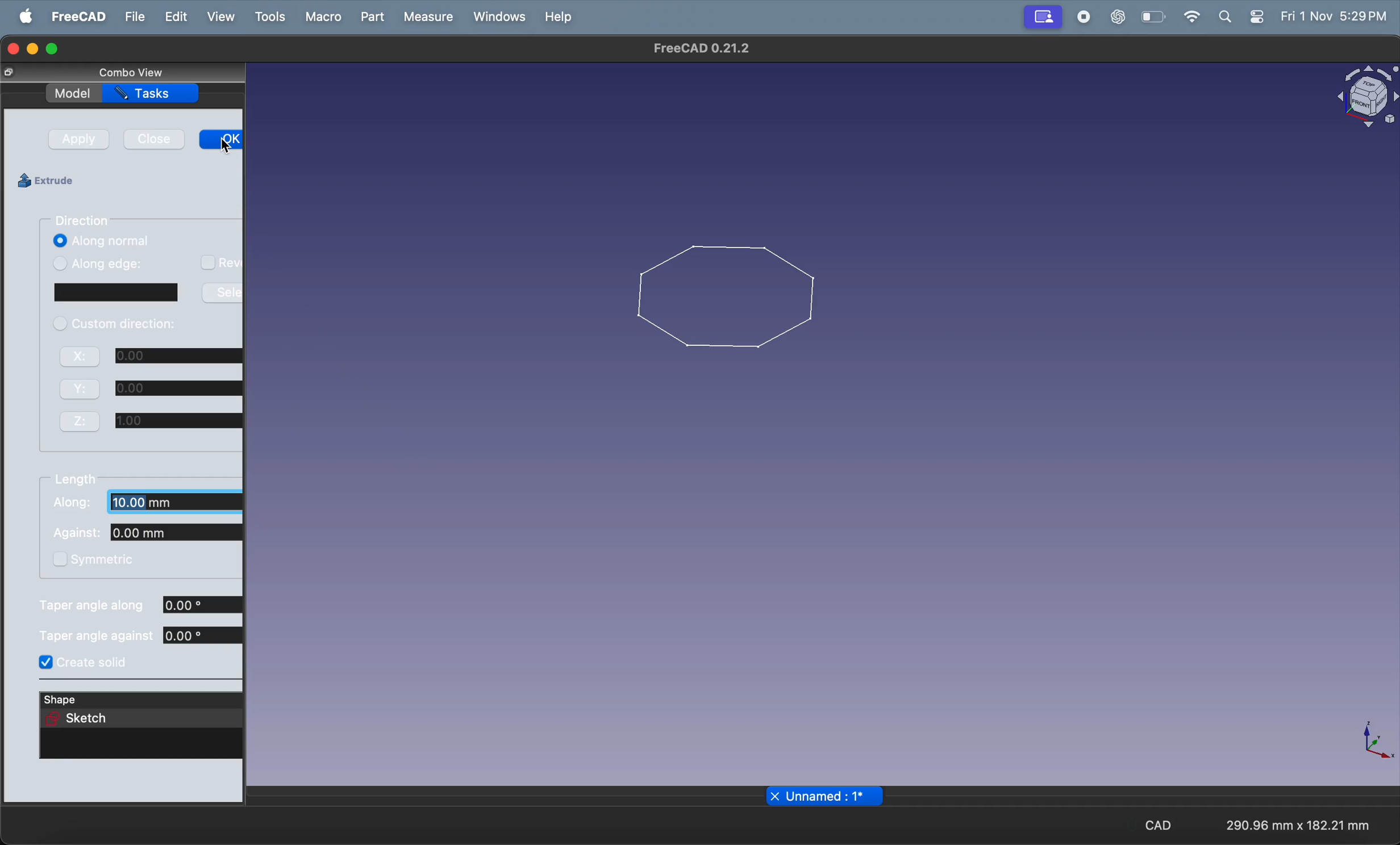  What do you see at coordinates (220, 16) in the screenshot?
I see `view` at bounding box center [220, 16].